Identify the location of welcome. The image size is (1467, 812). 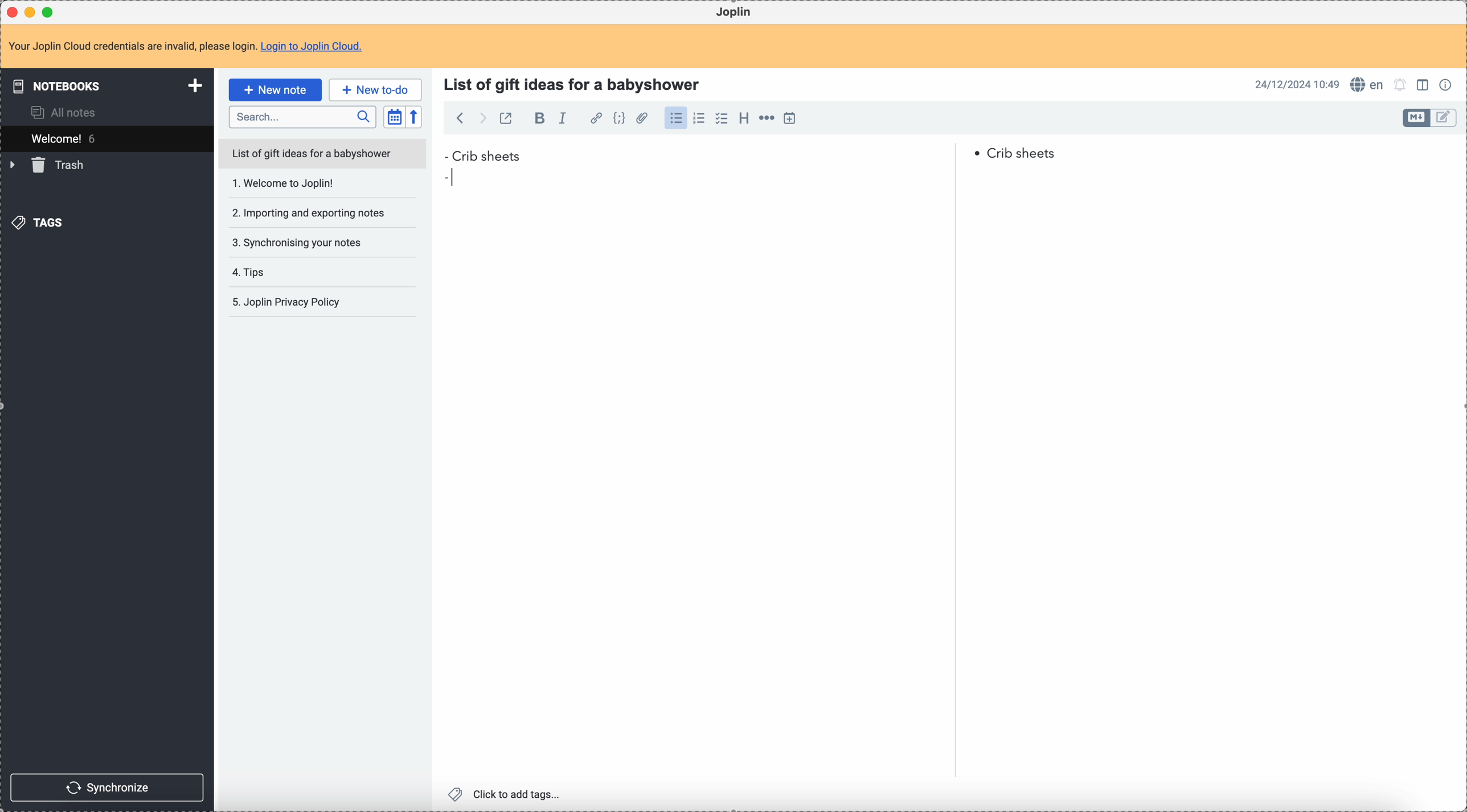
(106, 138).